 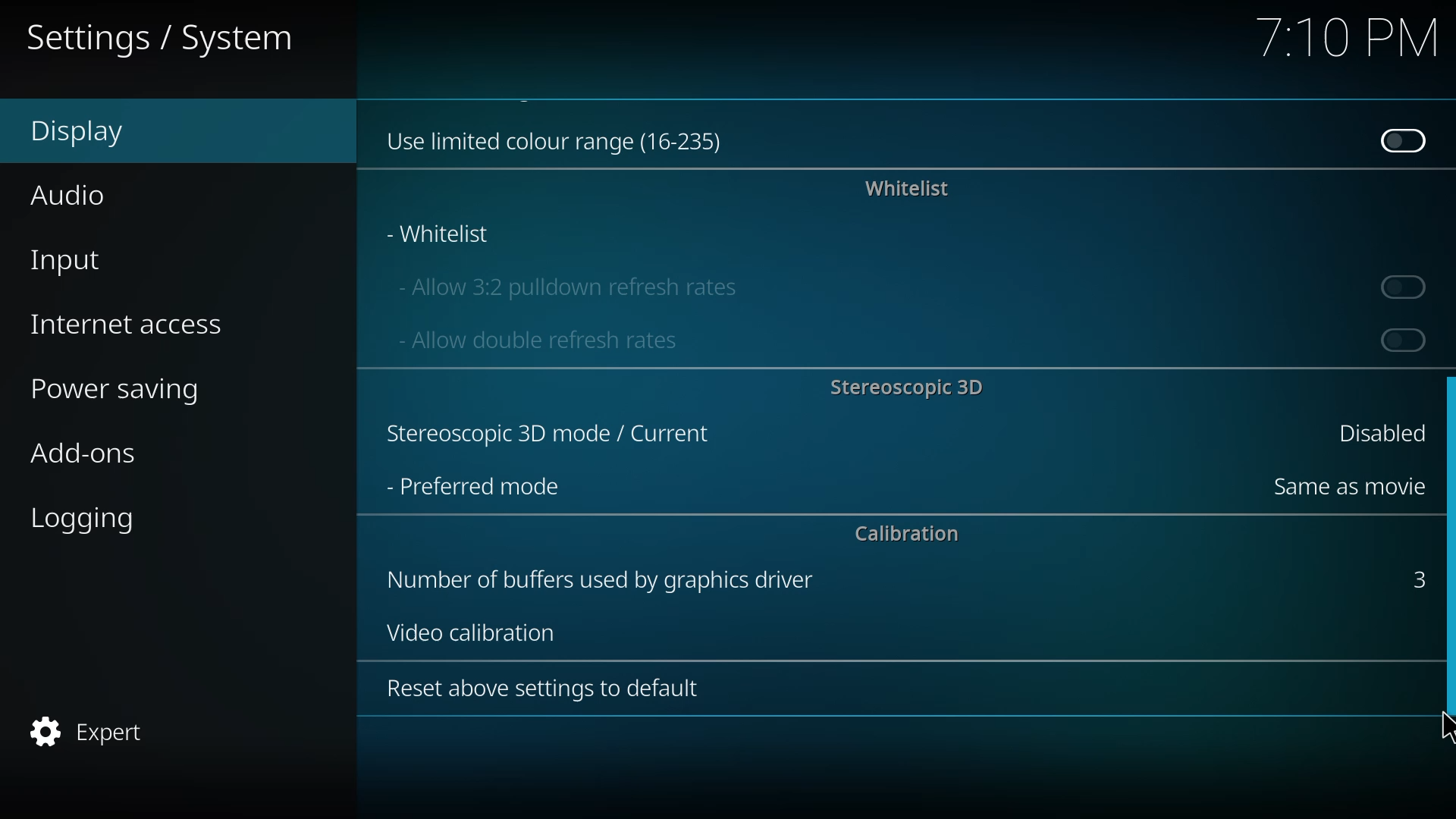 I want to click on expert, so click(x=89, y=733).